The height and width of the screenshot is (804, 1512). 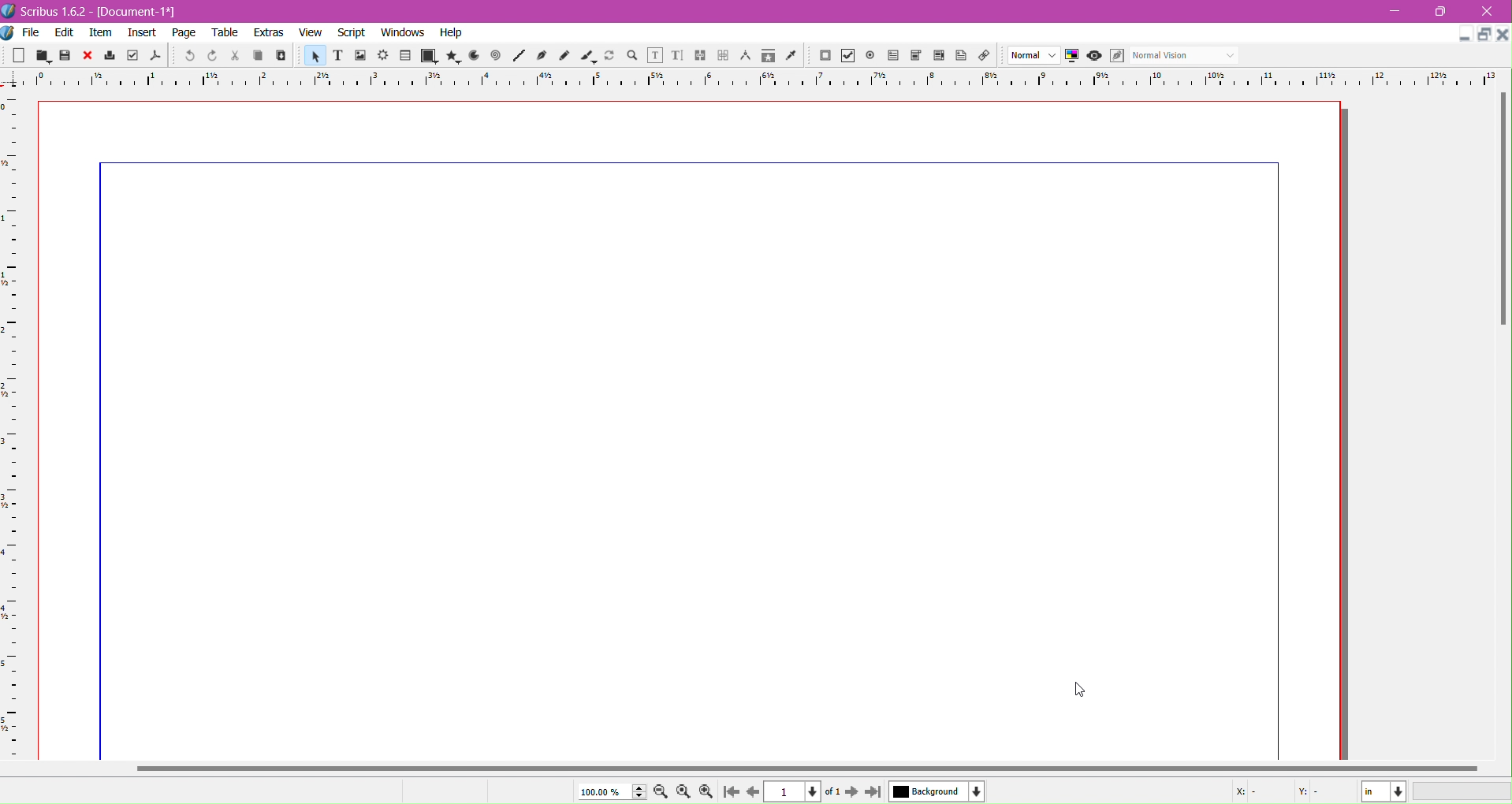 What do you see at coordinates (1460, 37) in the screenshot?
I see `minimize document` at bounding box center [1460, 37].